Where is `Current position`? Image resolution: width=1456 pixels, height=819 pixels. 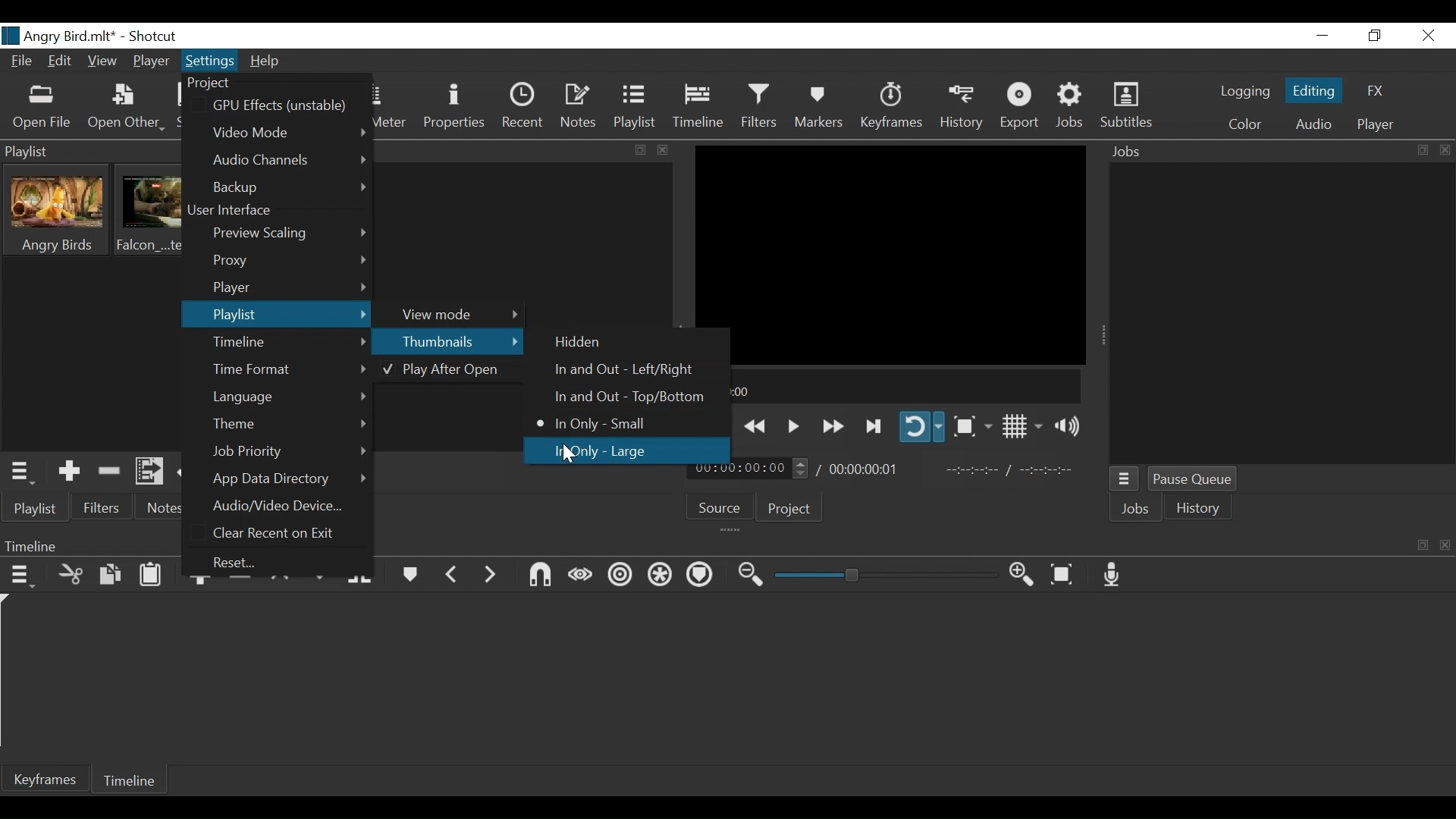 Current position is located at coordinates (748, 469).